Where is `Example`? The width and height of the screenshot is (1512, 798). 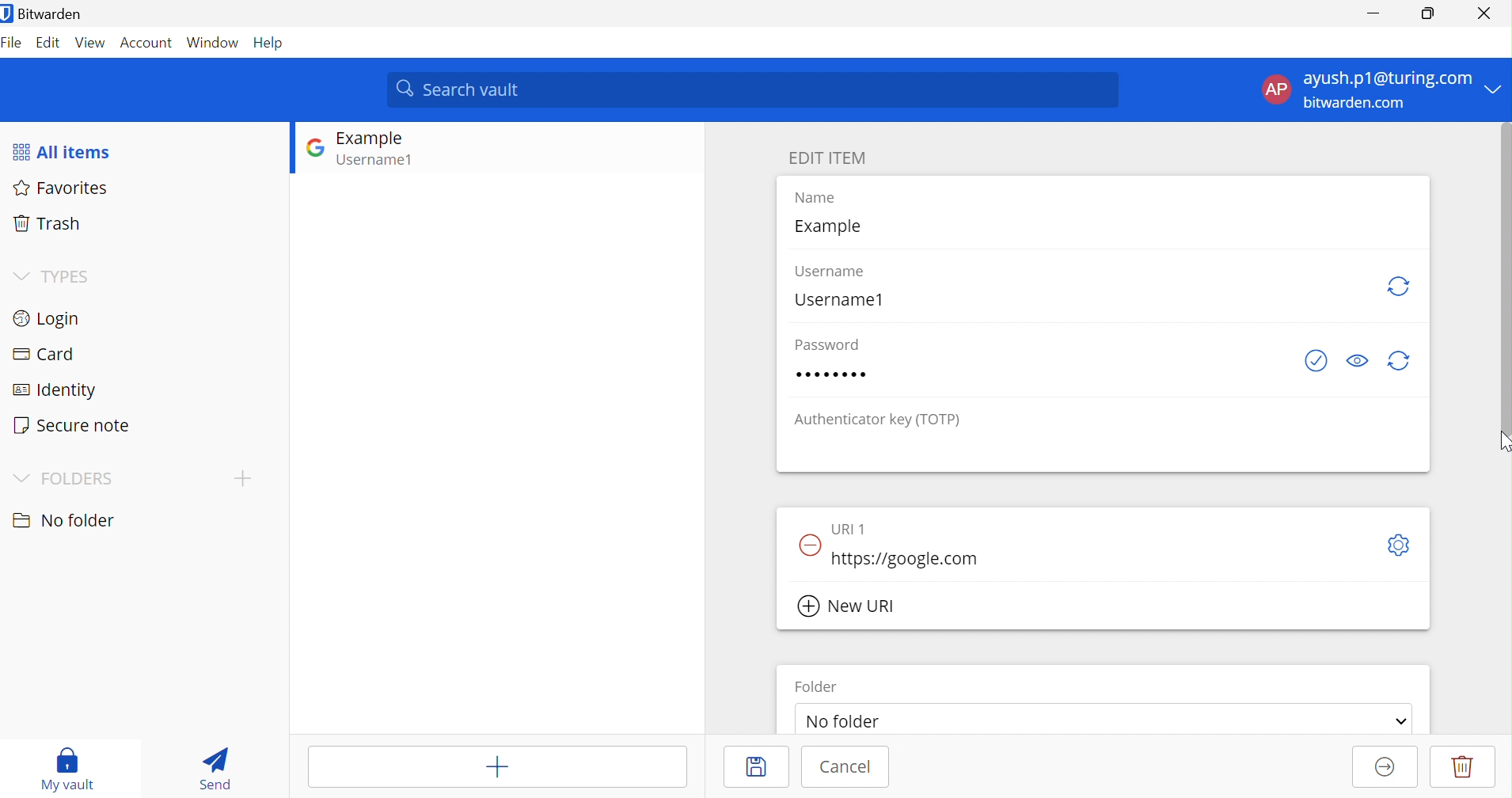
Example is located at coordinates (833, 226).